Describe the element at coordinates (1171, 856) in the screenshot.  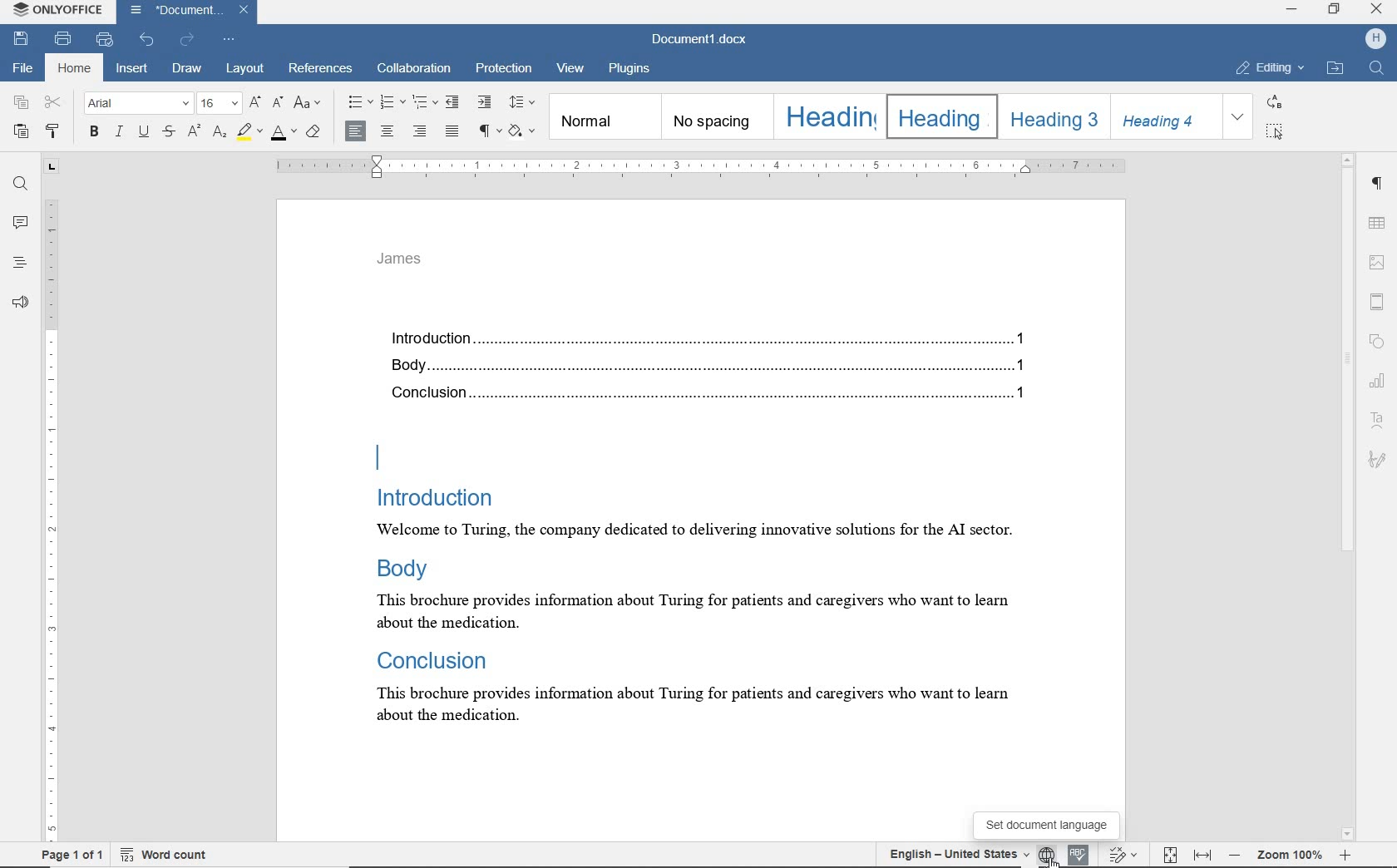
I see `fit to page` at that location.